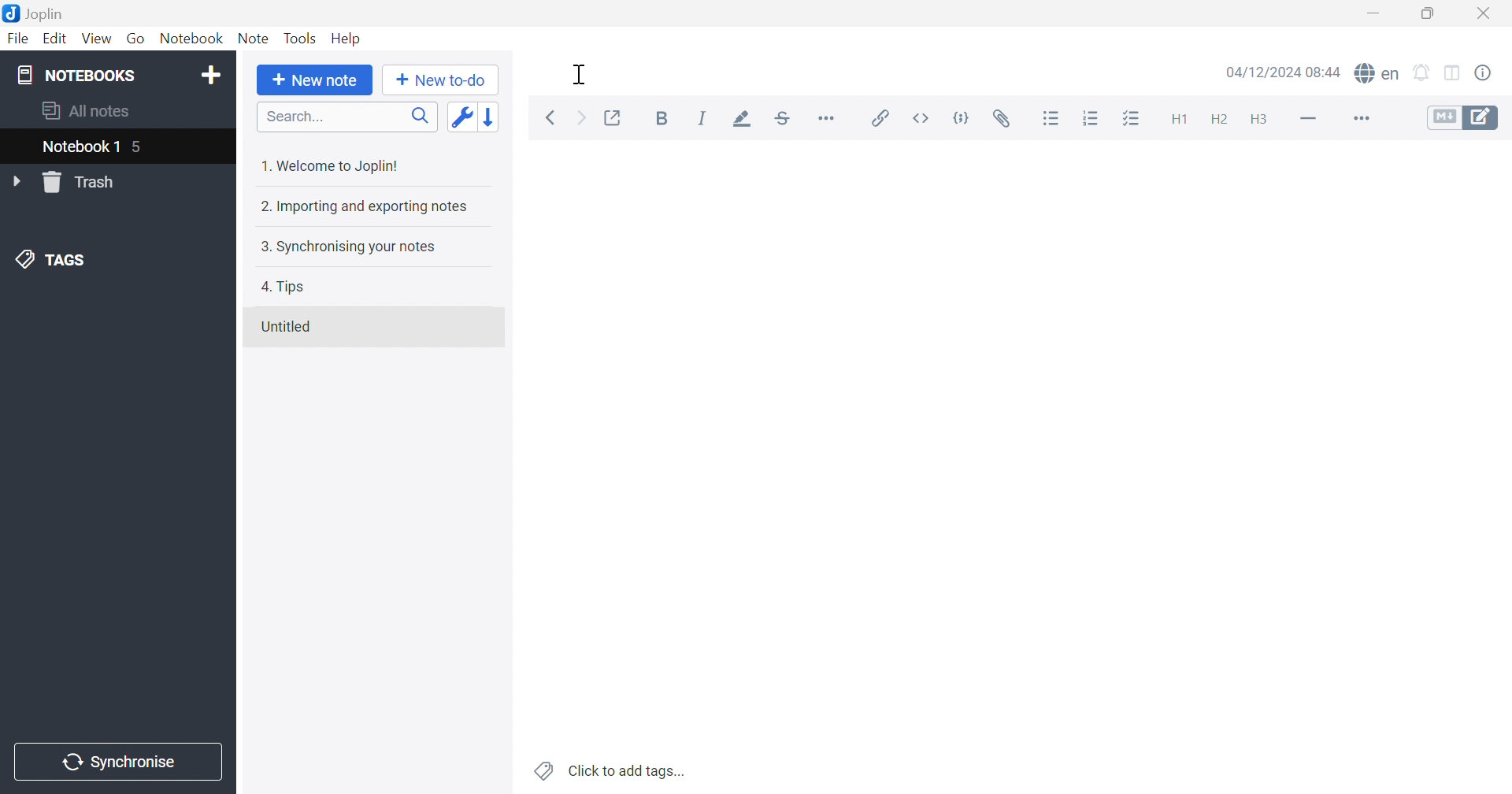 Image resolution: width=1512 pixels, height=794 pixels. What do you see at coordinates (114, 761) in the screenshot?
I see `Synchronise` at bounding box center [114, 761].